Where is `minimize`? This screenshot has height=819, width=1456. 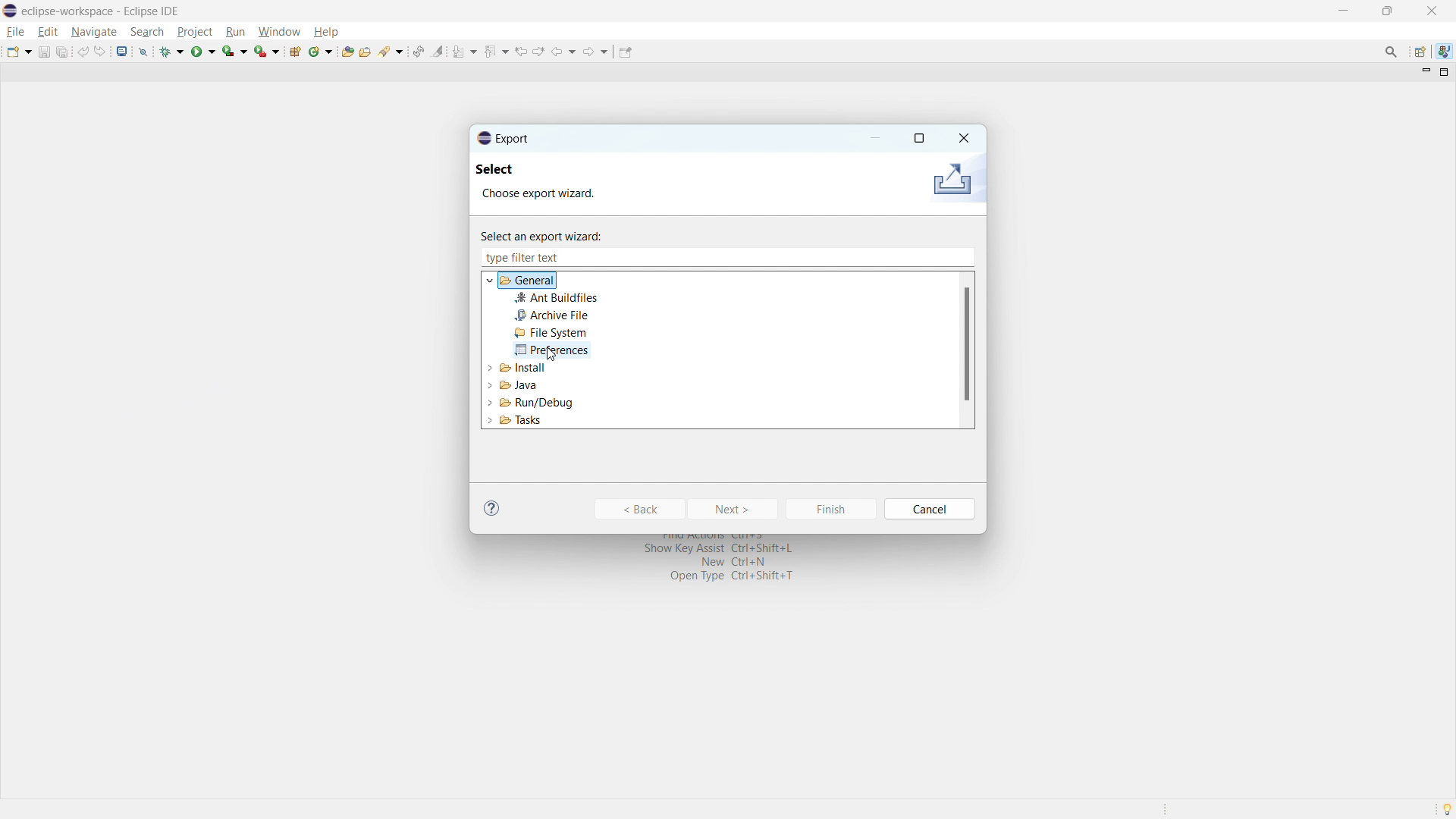
minimize is located at coordinates (1341, 10).